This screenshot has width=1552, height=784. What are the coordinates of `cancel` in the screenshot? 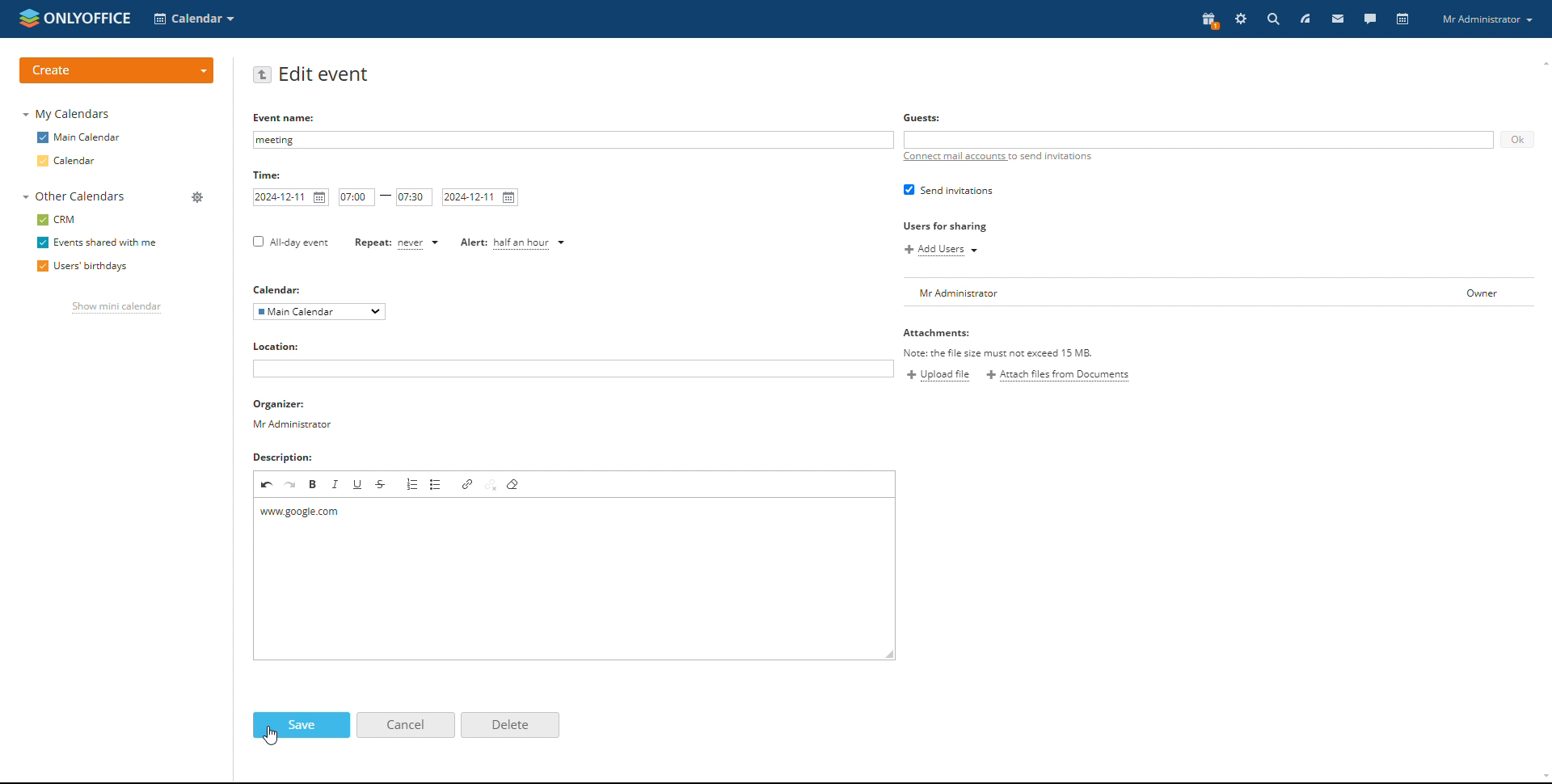 It's located at (407, 725).